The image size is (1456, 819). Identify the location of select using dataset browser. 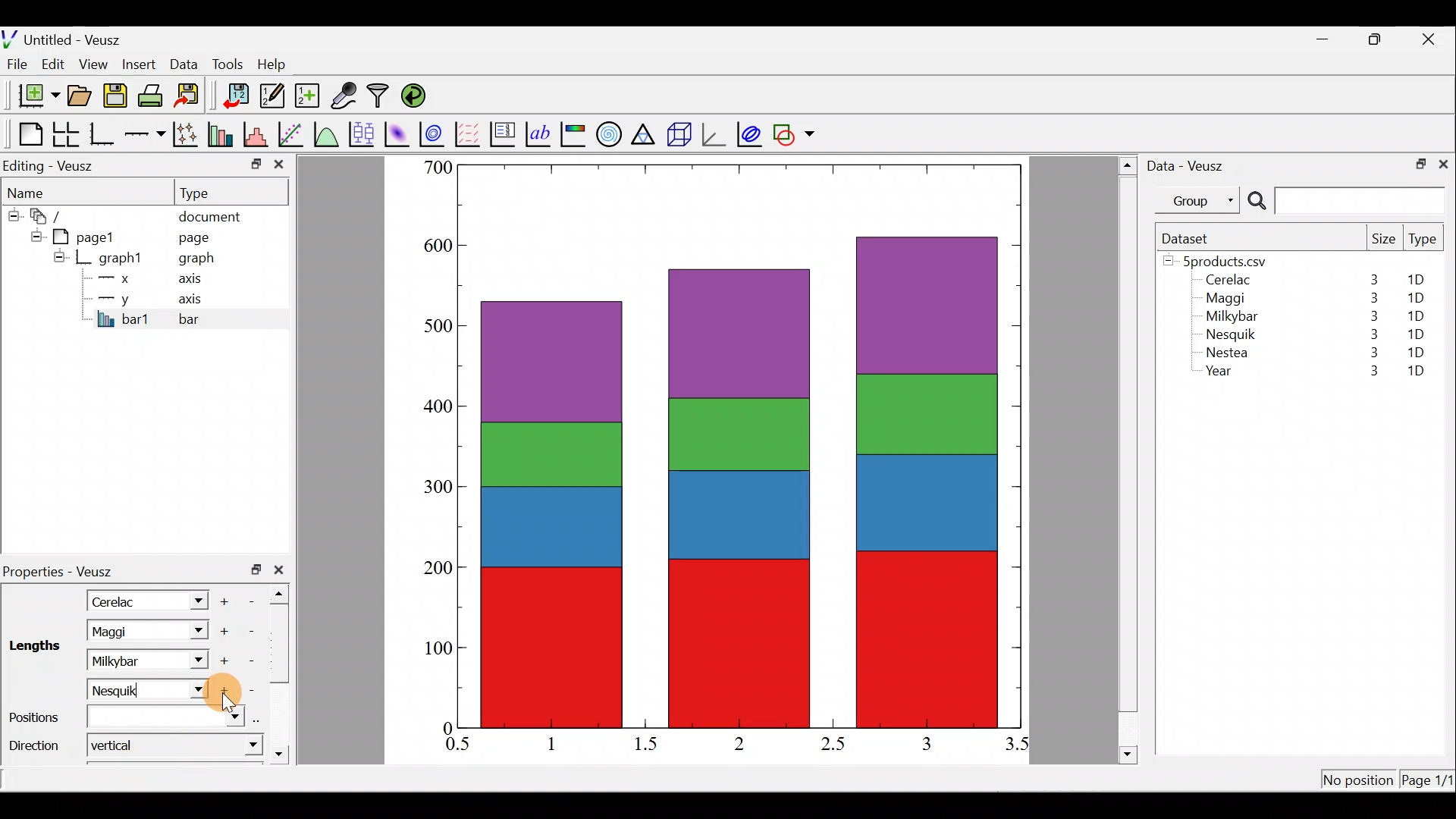
(260, 717).